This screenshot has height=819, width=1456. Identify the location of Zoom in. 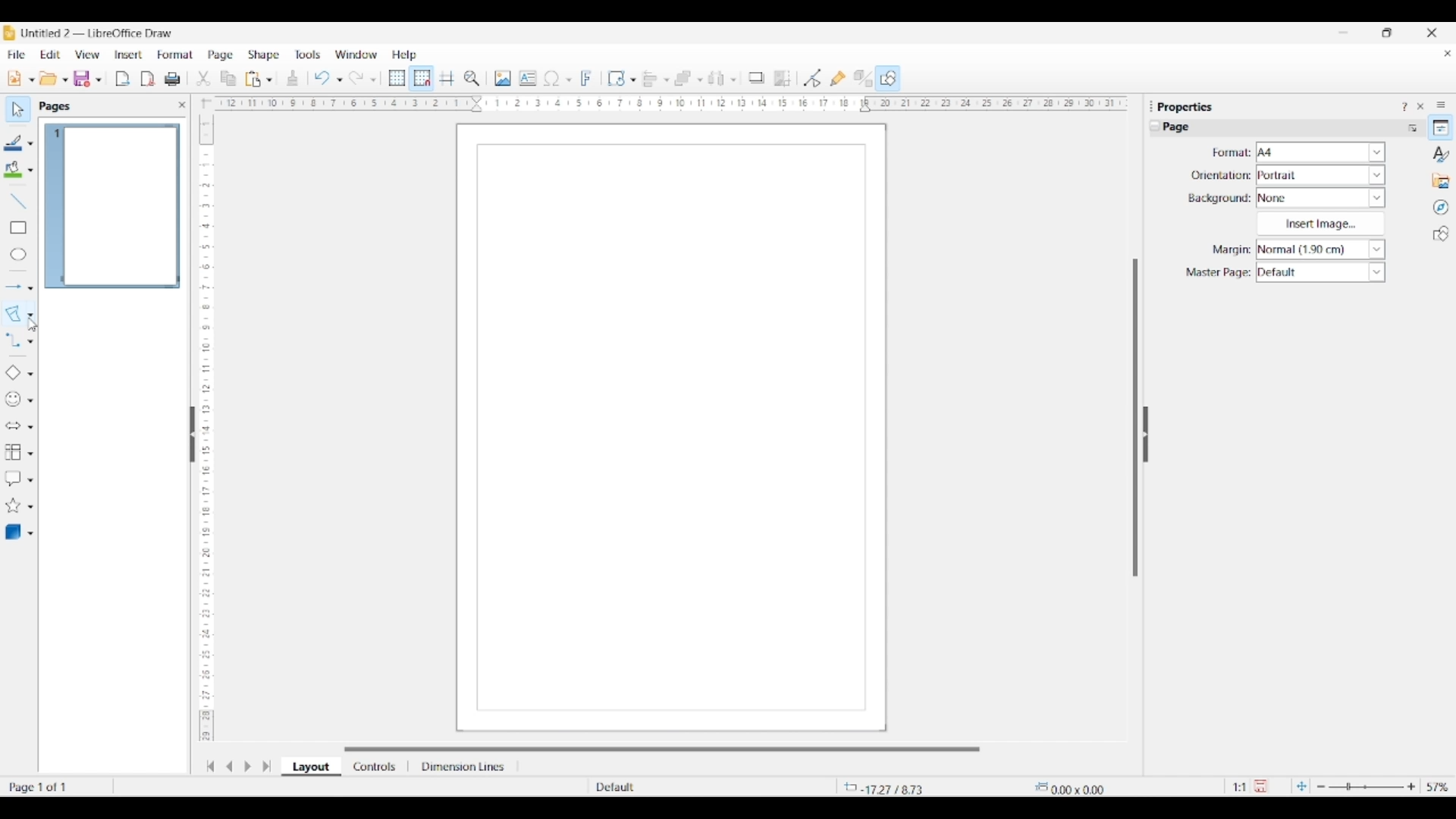
(1411, 786).